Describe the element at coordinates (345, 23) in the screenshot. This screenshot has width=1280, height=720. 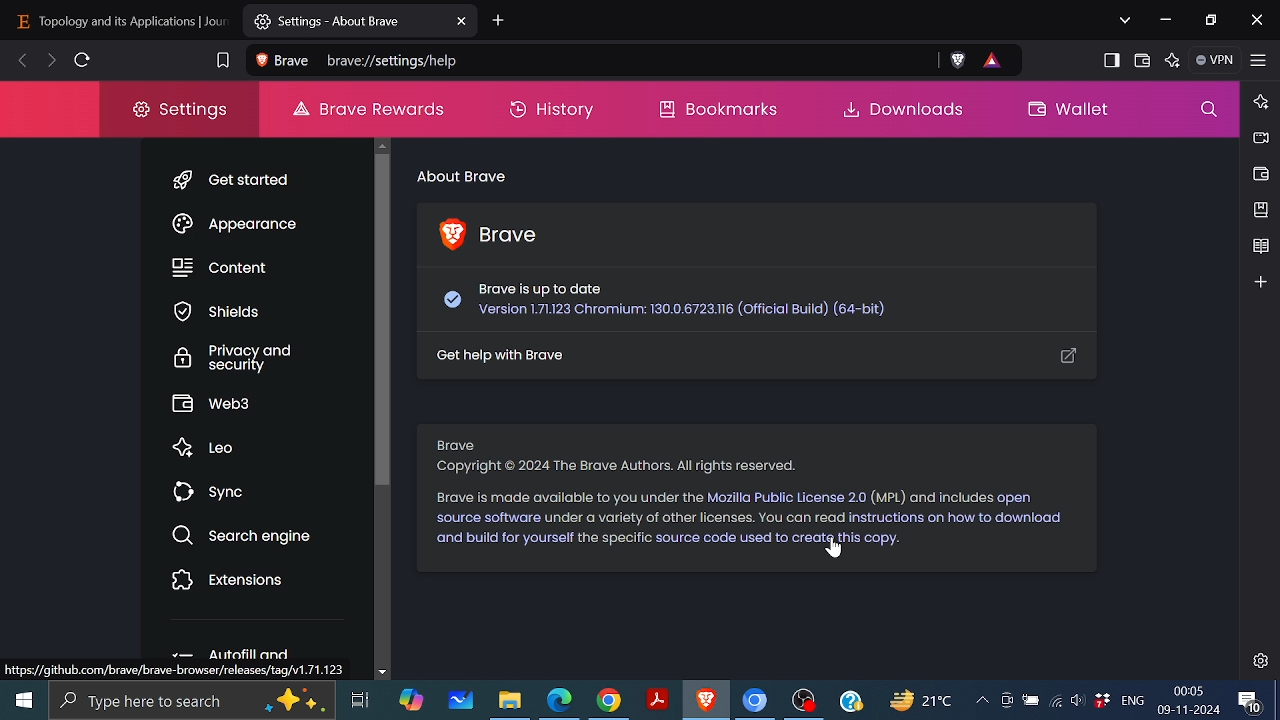
I see `settings - about brave` at that location.